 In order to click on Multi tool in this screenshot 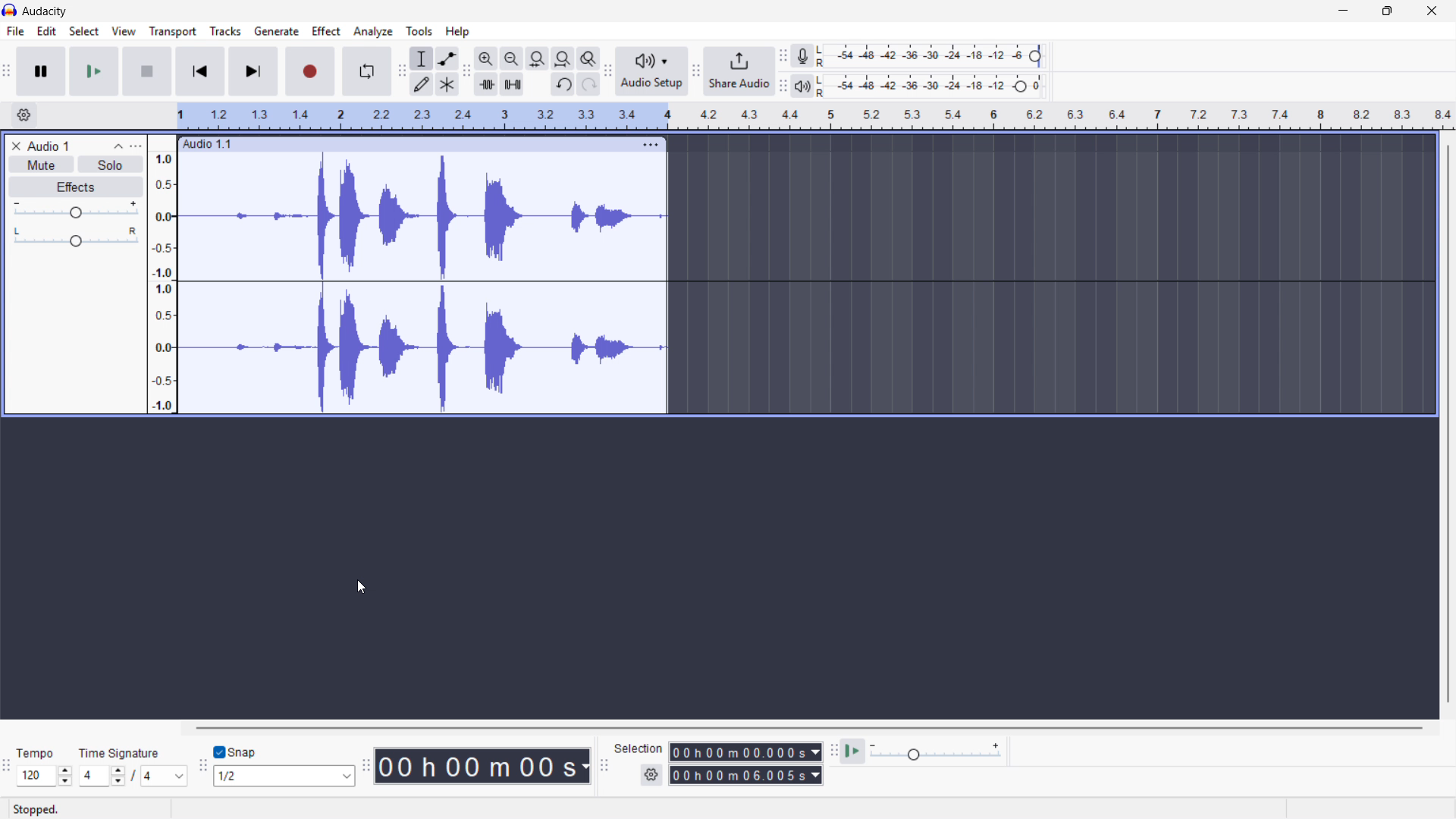, I will do `click(447, 85)`.